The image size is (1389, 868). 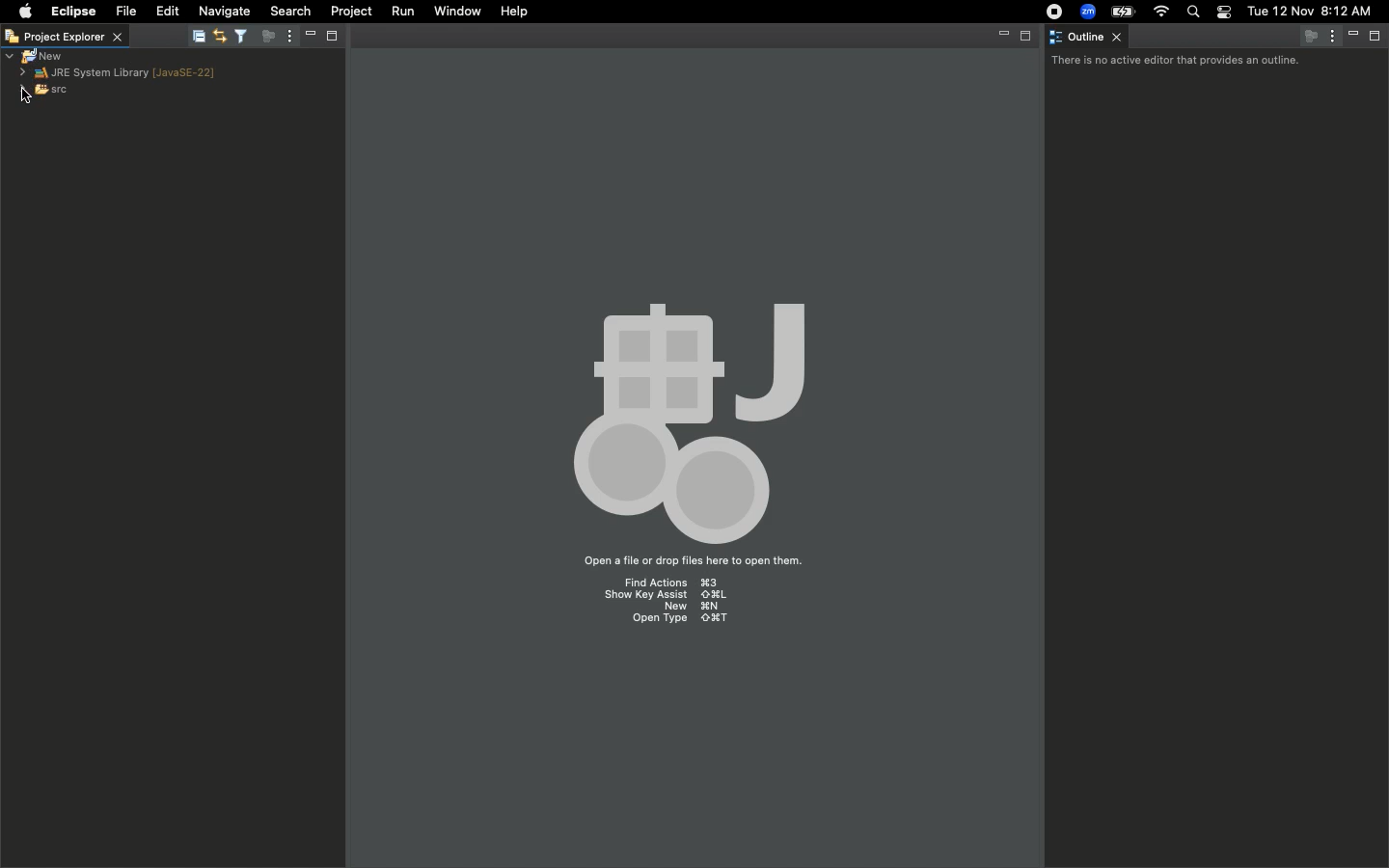 I want to click on Run, so click(x=399, y=11).